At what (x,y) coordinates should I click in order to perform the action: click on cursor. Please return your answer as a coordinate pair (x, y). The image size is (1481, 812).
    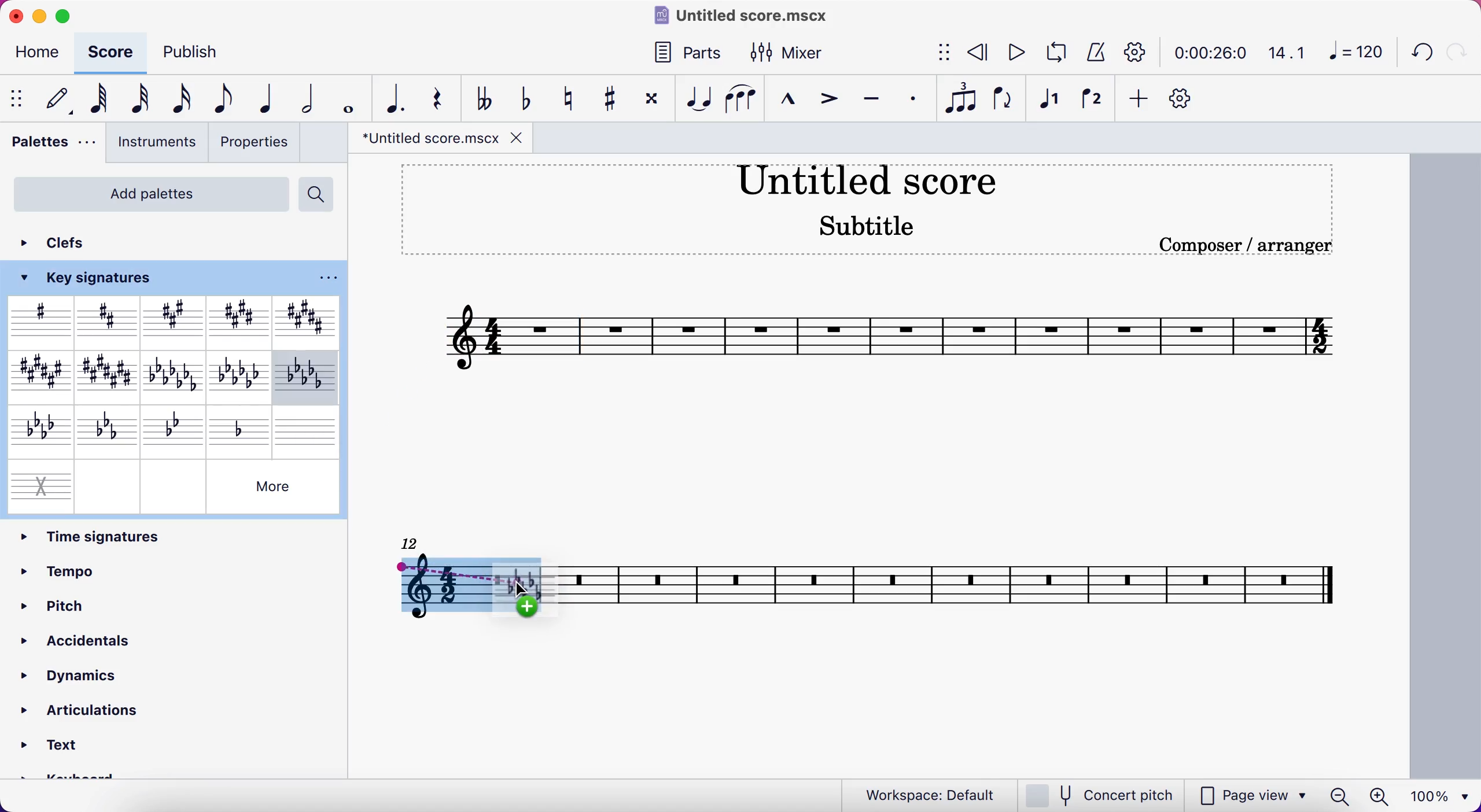
    Looking at the image, I should click on (518, 595).